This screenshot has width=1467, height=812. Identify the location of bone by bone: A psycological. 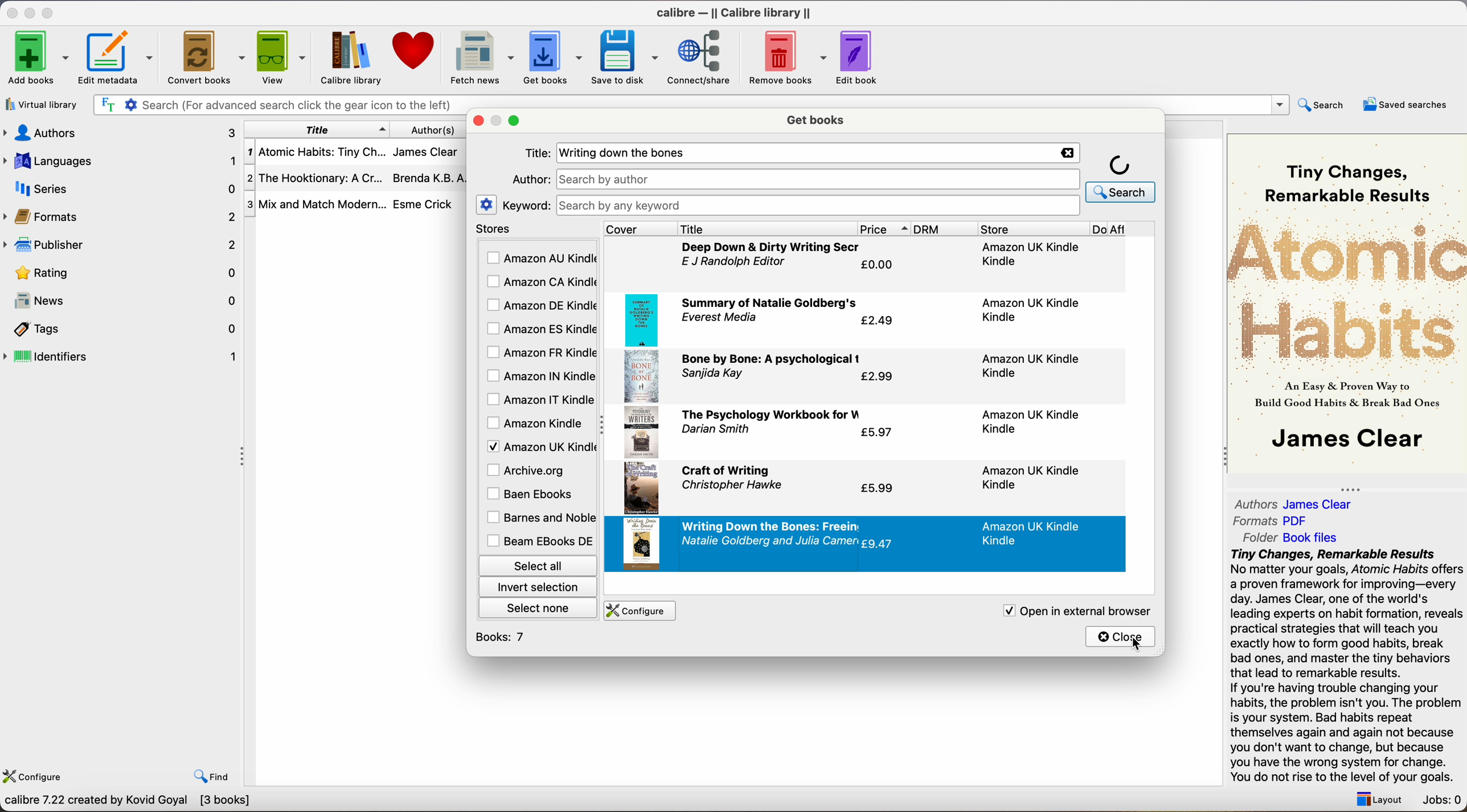
(773, 360).